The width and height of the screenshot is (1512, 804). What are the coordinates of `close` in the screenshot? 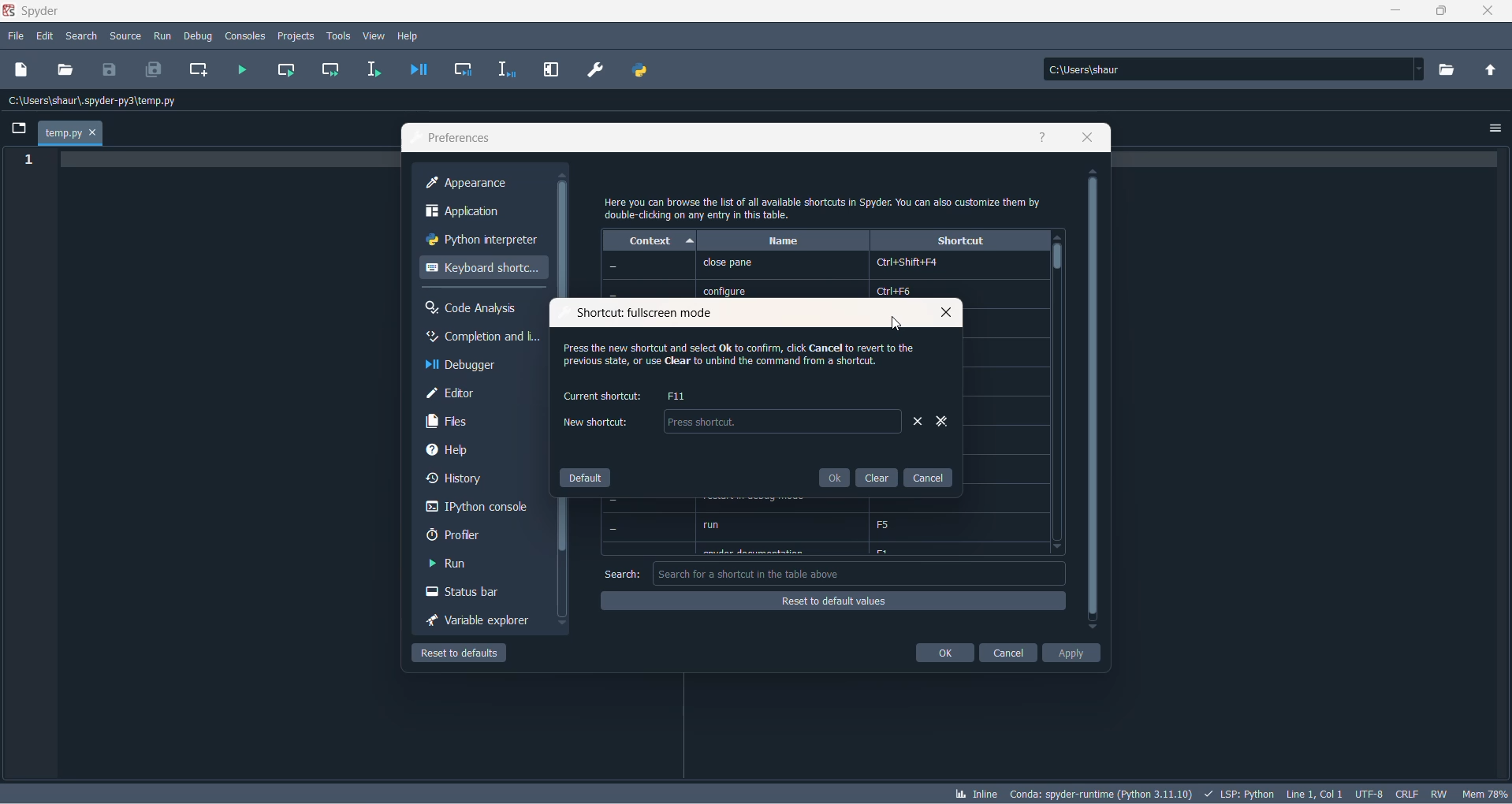 It's located at (949, 313).